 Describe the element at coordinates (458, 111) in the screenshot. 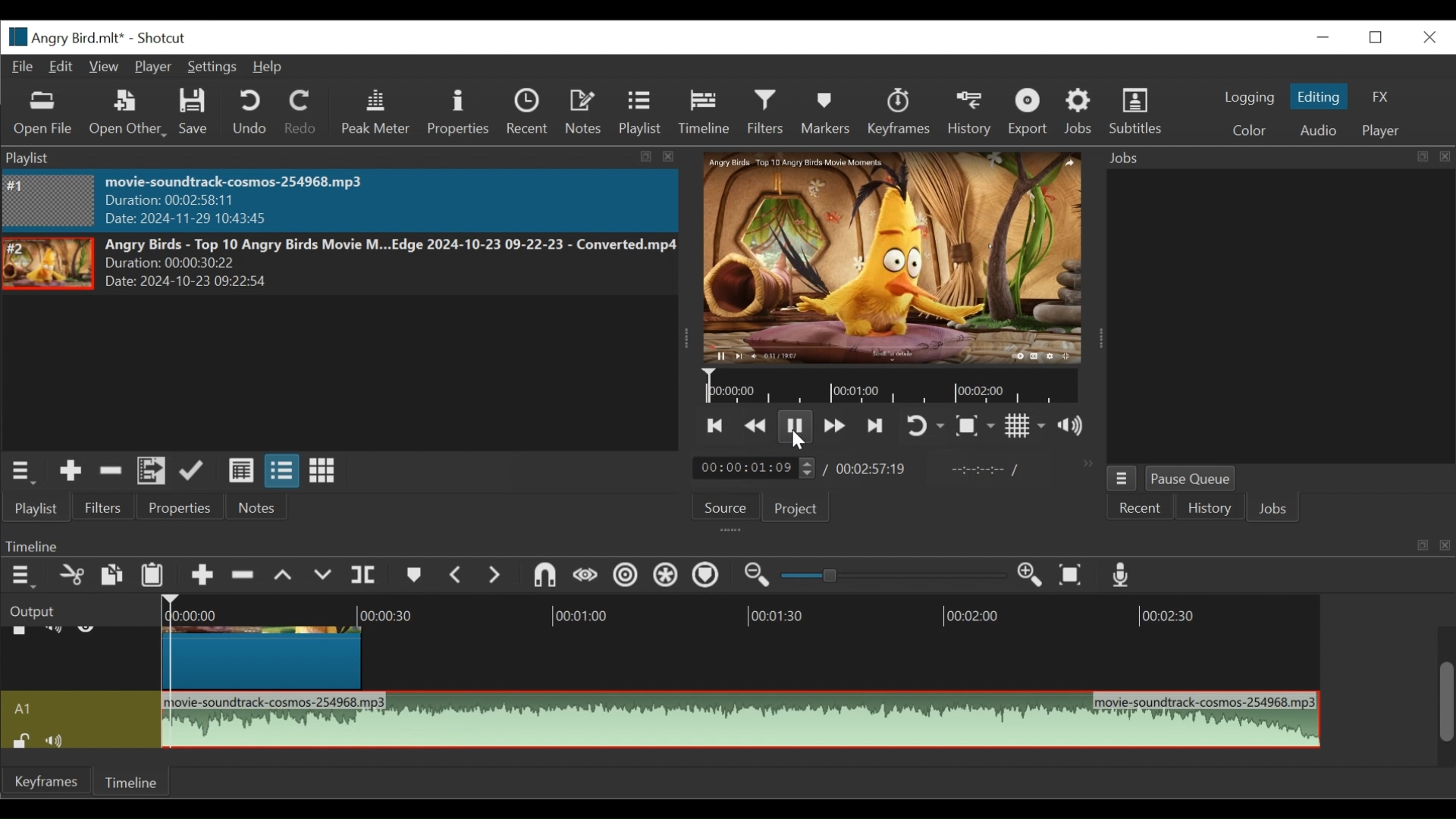

I see `Properties` at that location.